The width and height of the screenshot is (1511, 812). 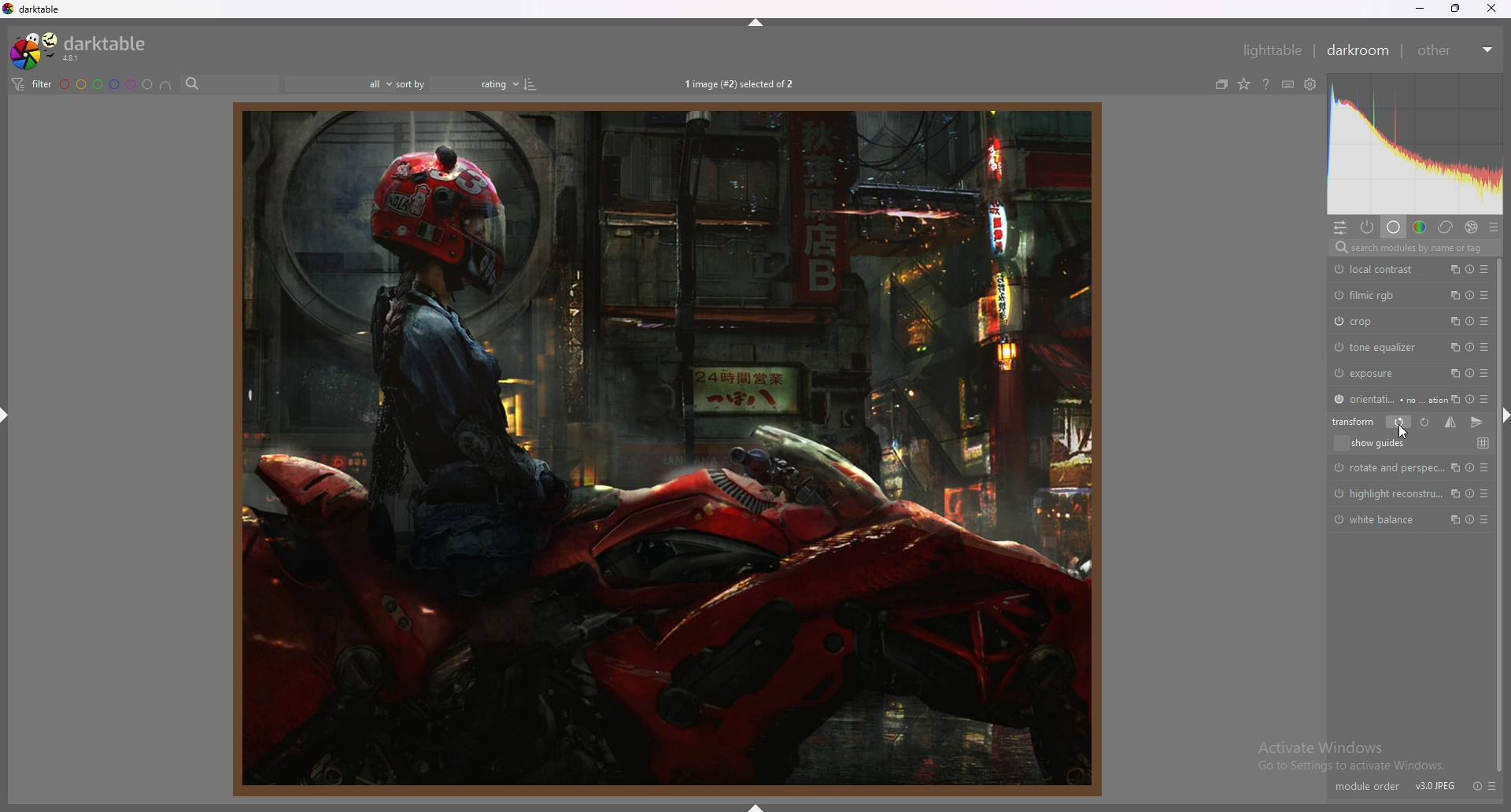 I want to click on reverse sort order, so click(x=531, y=84).